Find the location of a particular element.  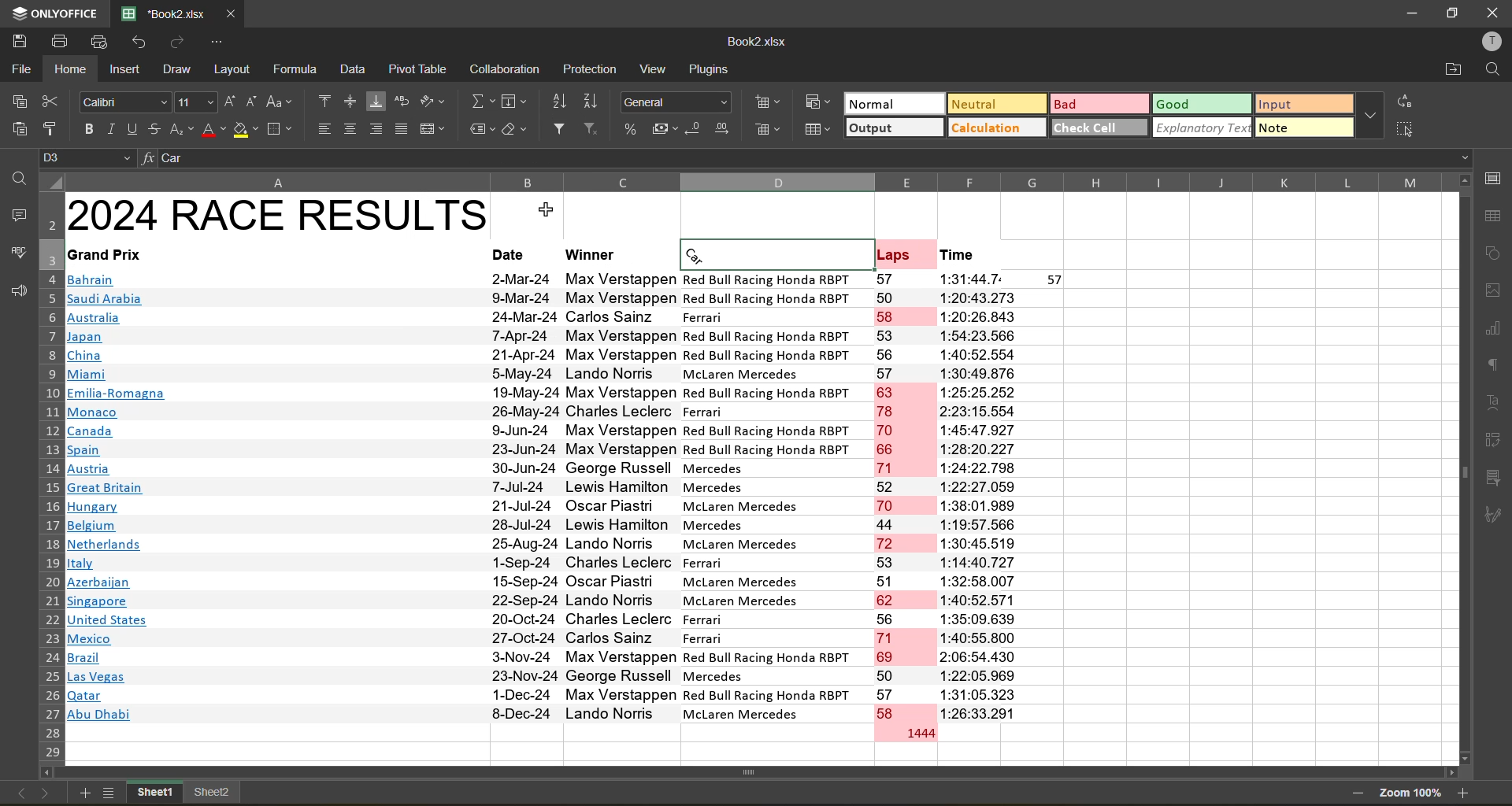

sub/superscript is located at coordinates (180, 130).